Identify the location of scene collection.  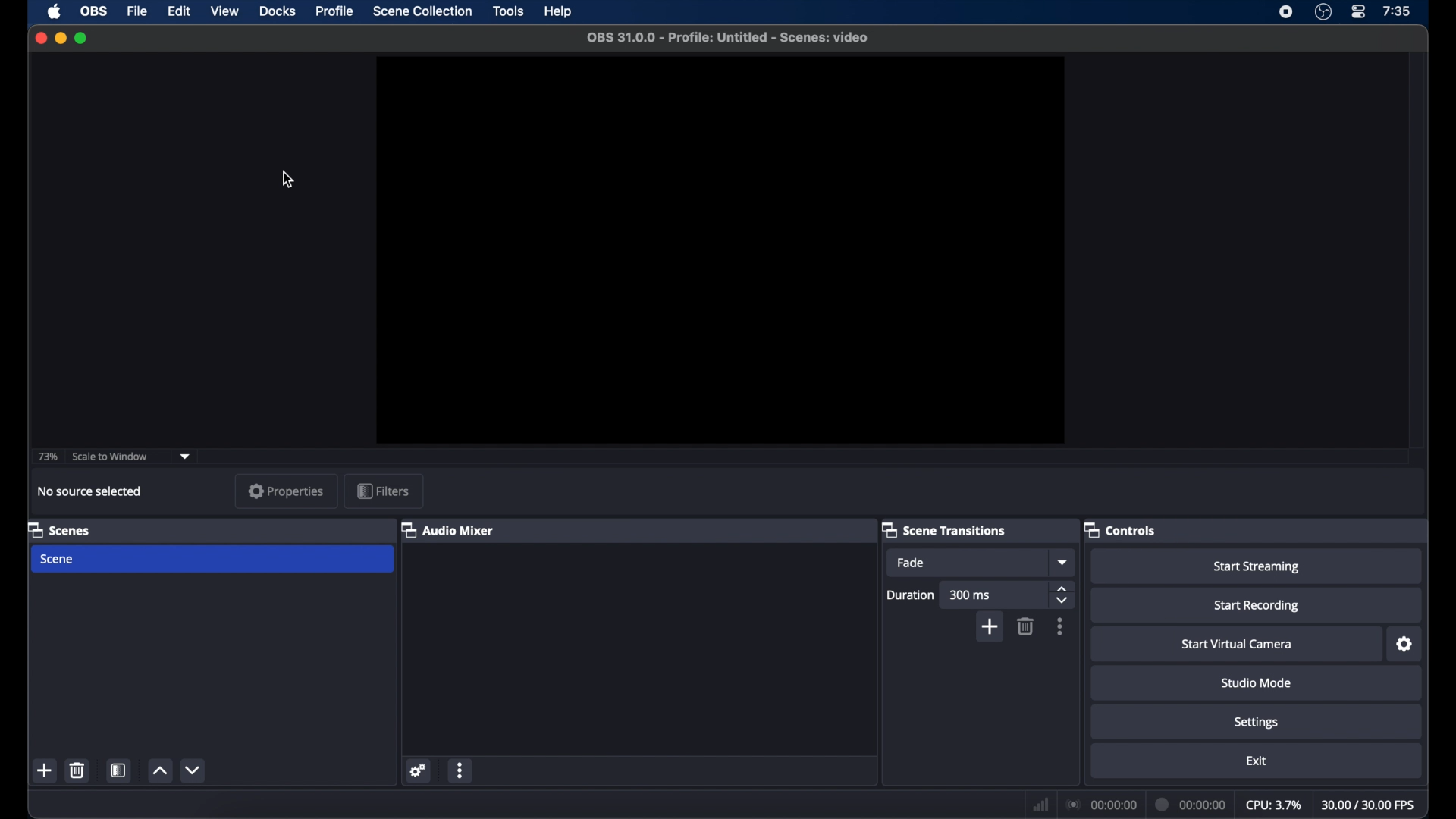
(422, 11).